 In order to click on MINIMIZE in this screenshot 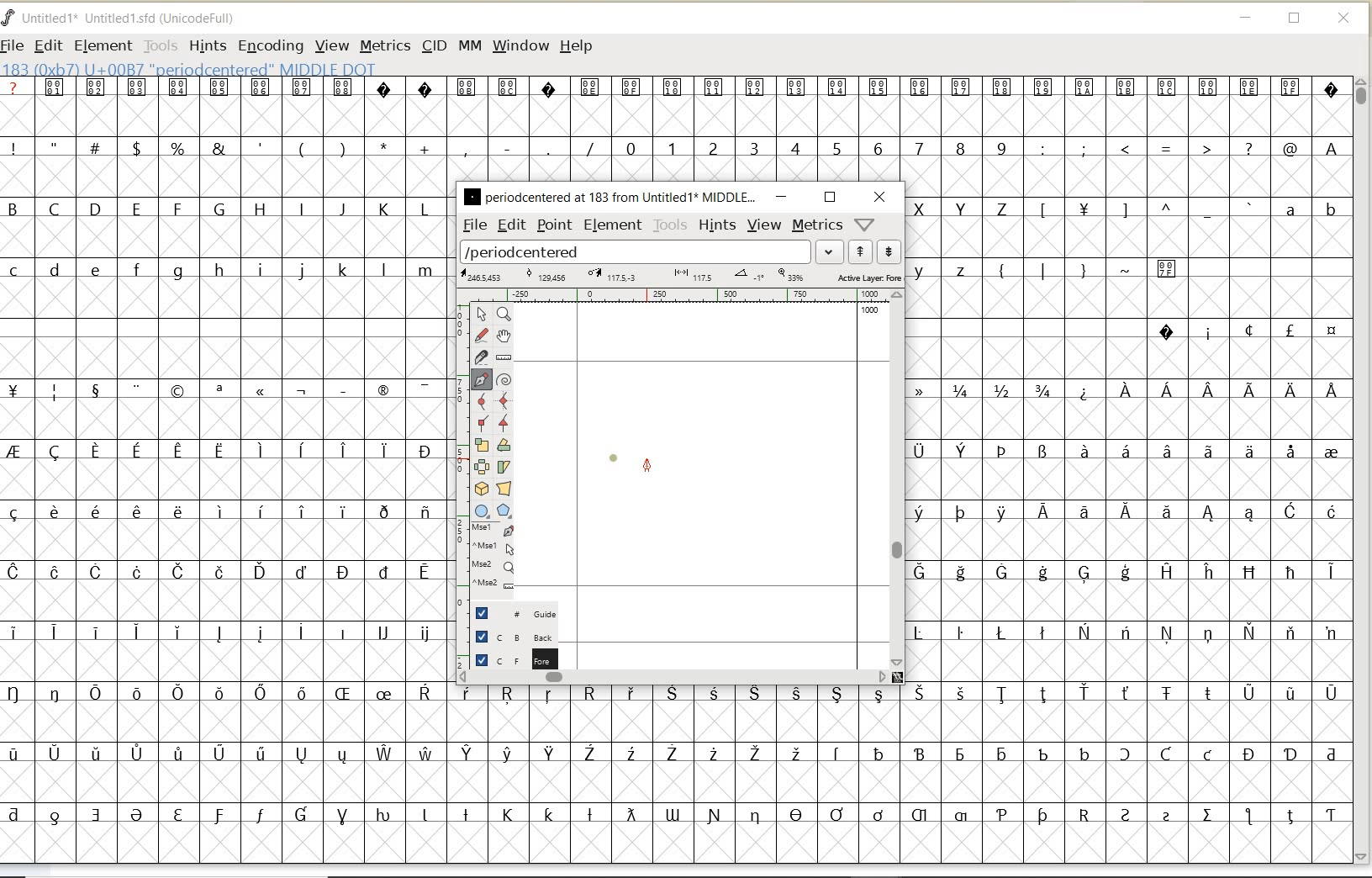, I will do `click(1247, 20)`.